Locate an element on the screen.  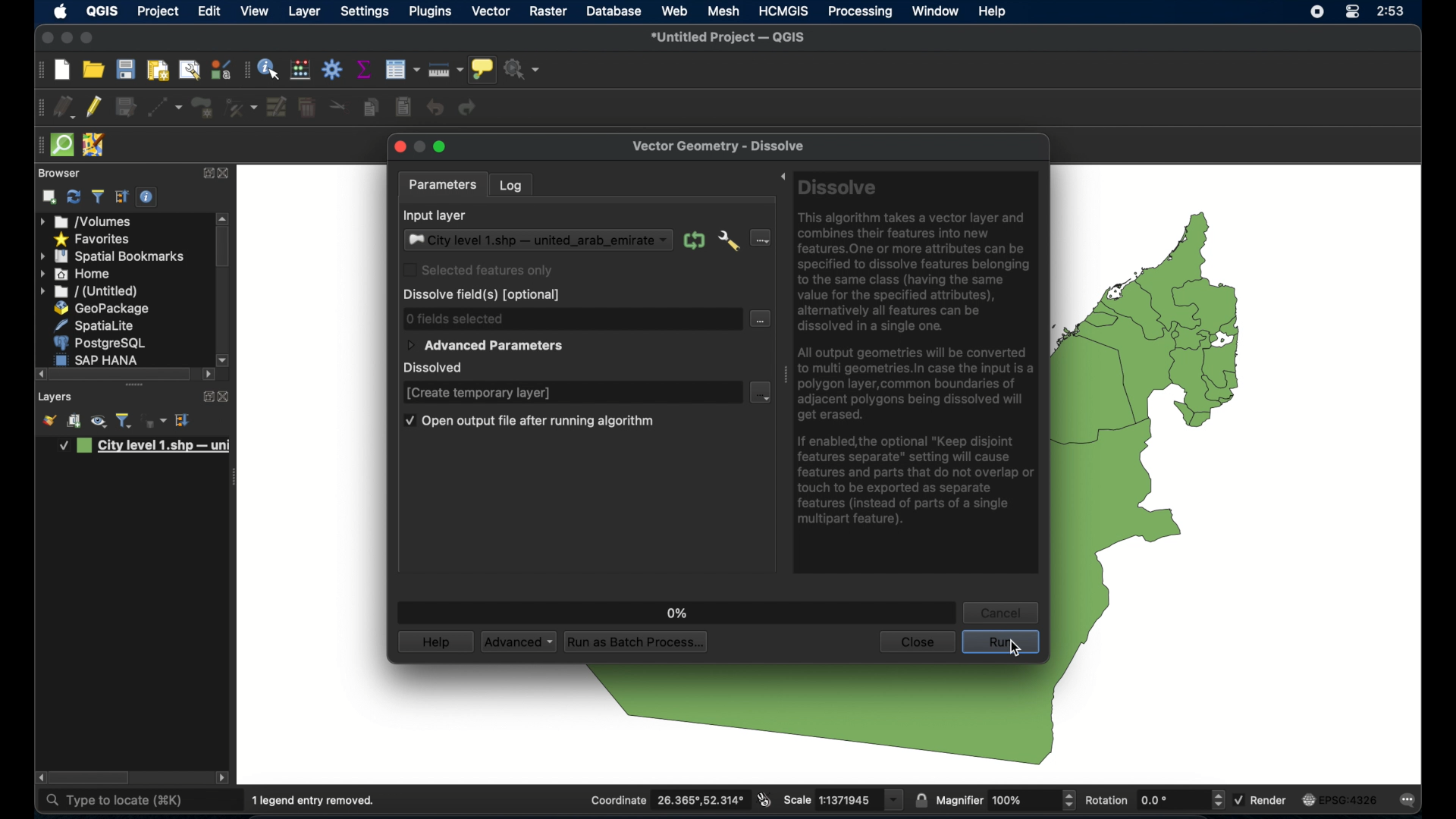
scroll left arrow is located at coordinates (224, 779).